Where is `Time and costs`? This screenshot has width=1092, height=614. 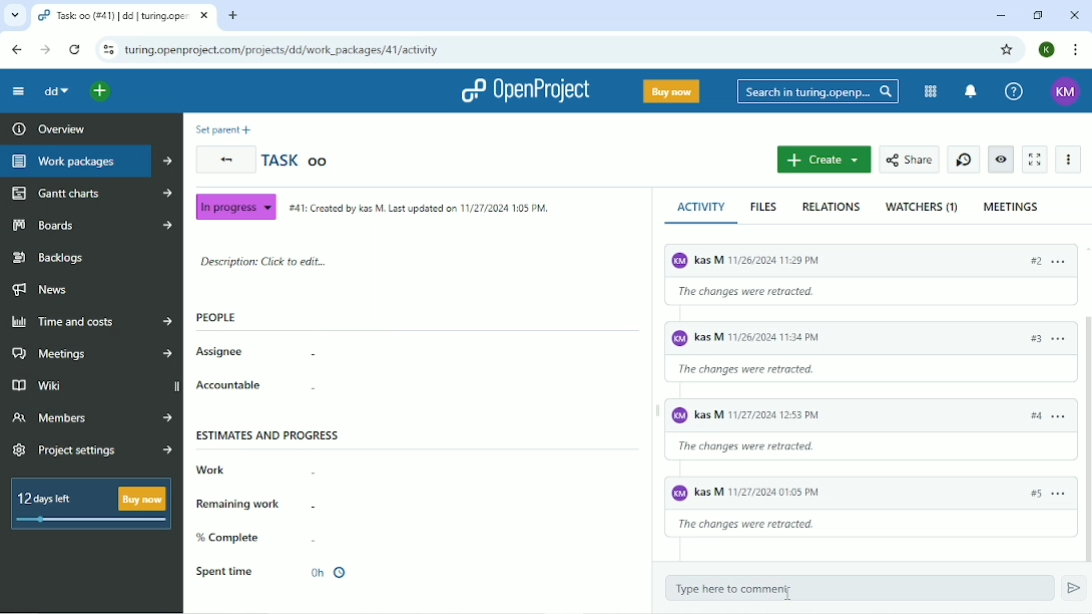
Time and costs is located at coordinates (90, 321).